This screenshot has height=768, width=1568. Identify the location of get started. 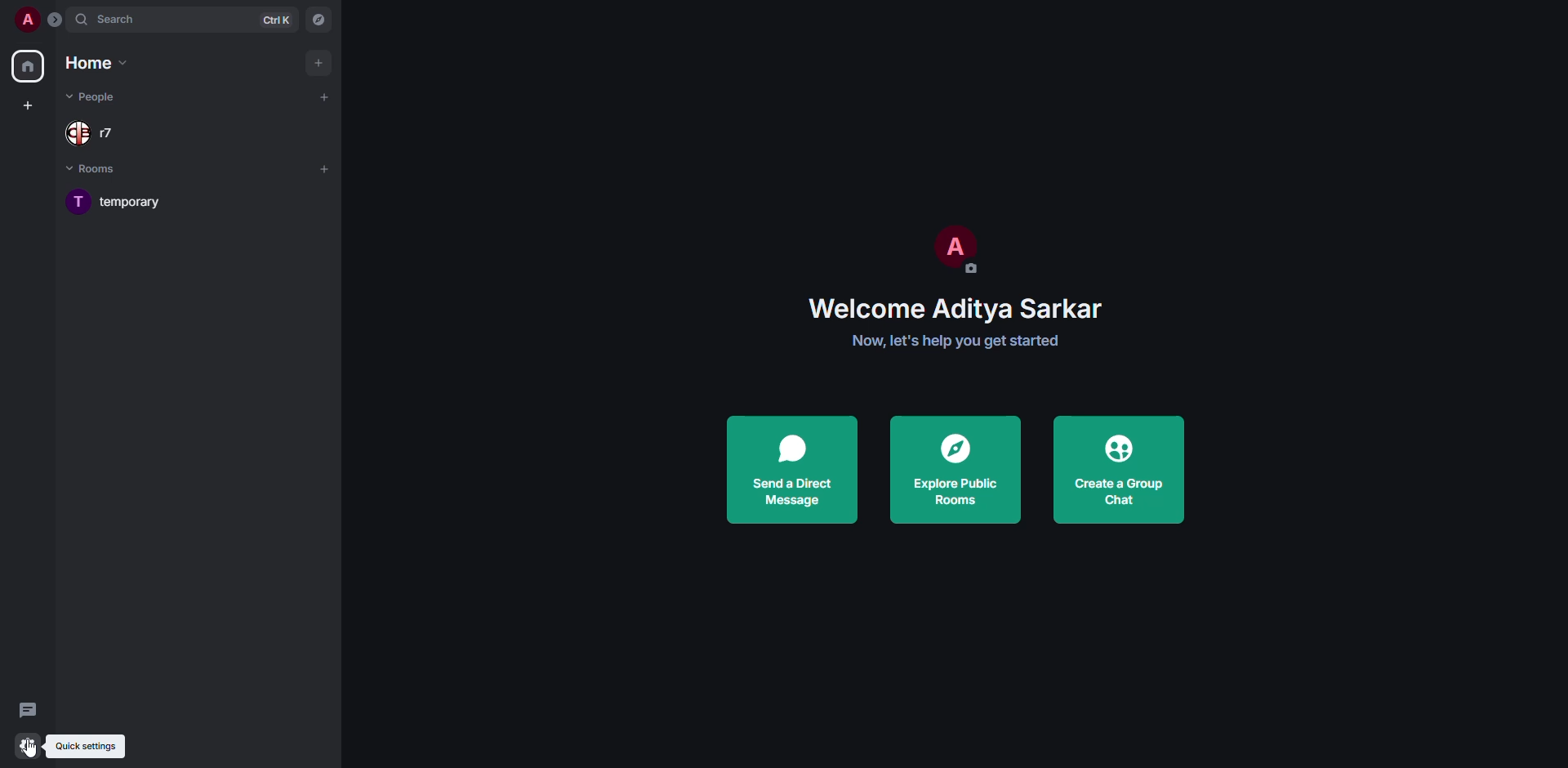
(956, 342).